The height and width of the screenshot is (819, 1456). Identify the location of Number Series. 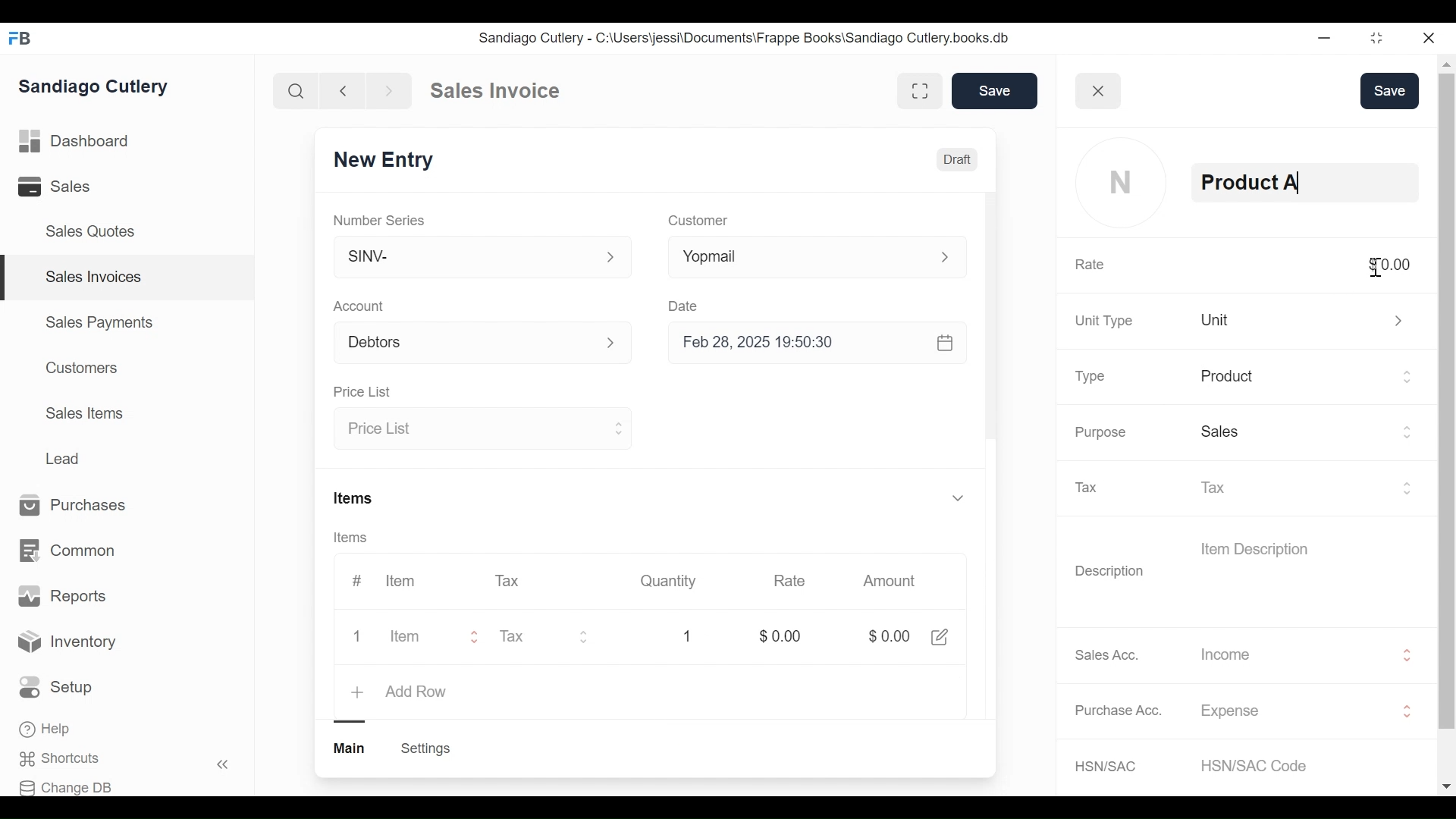
(379, 218).